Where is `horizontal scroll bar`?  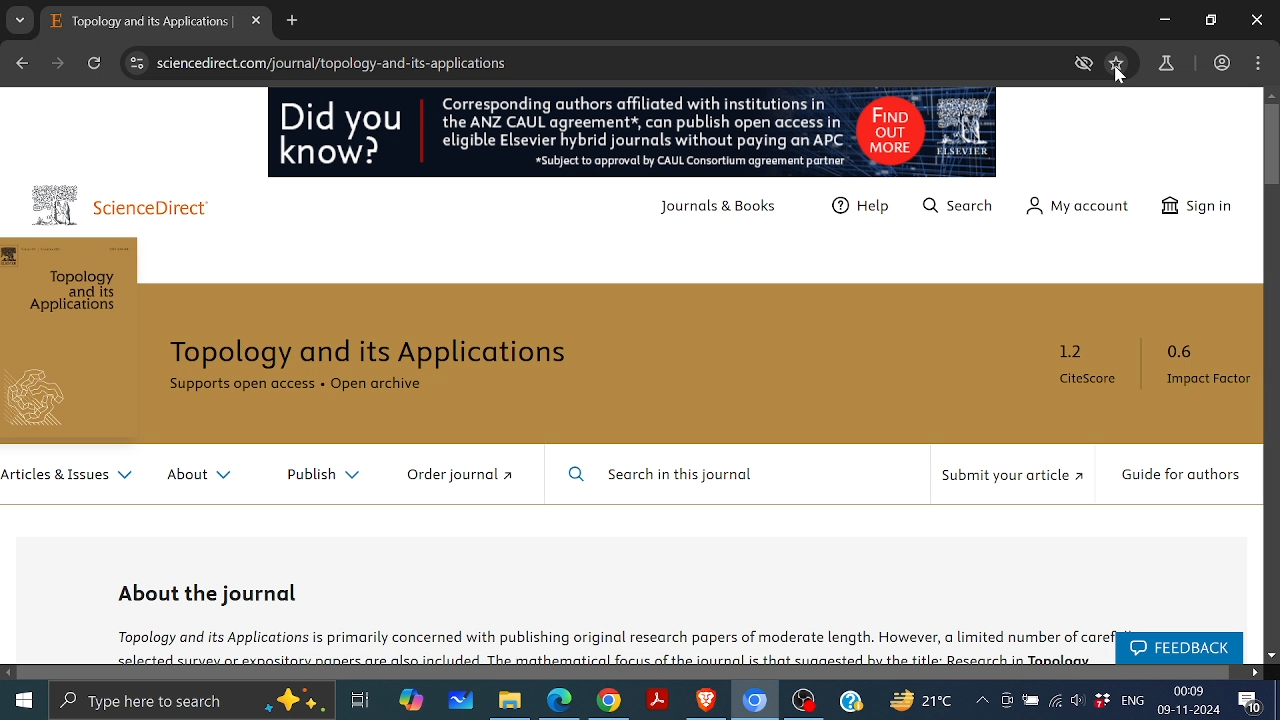 horizontal scroll bar is located at coordinates (626, 672).